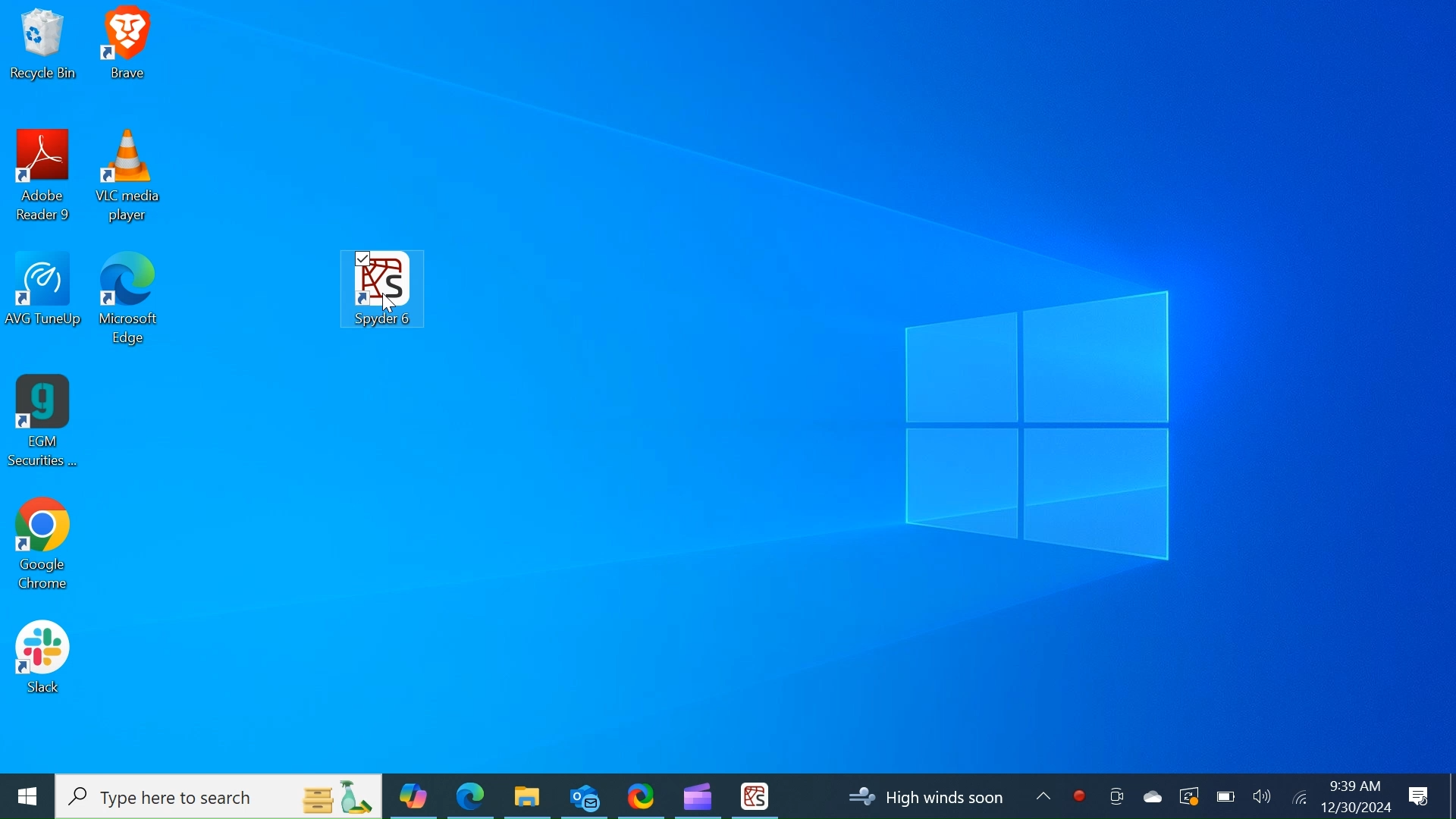 Image resolution: width=1456 pixels, height=819 pixels. What do you see at coordinates (46, 303) in the screenshot?
I see `AVG TuneUp Desktop Icon` at bounding box center [46, 303].